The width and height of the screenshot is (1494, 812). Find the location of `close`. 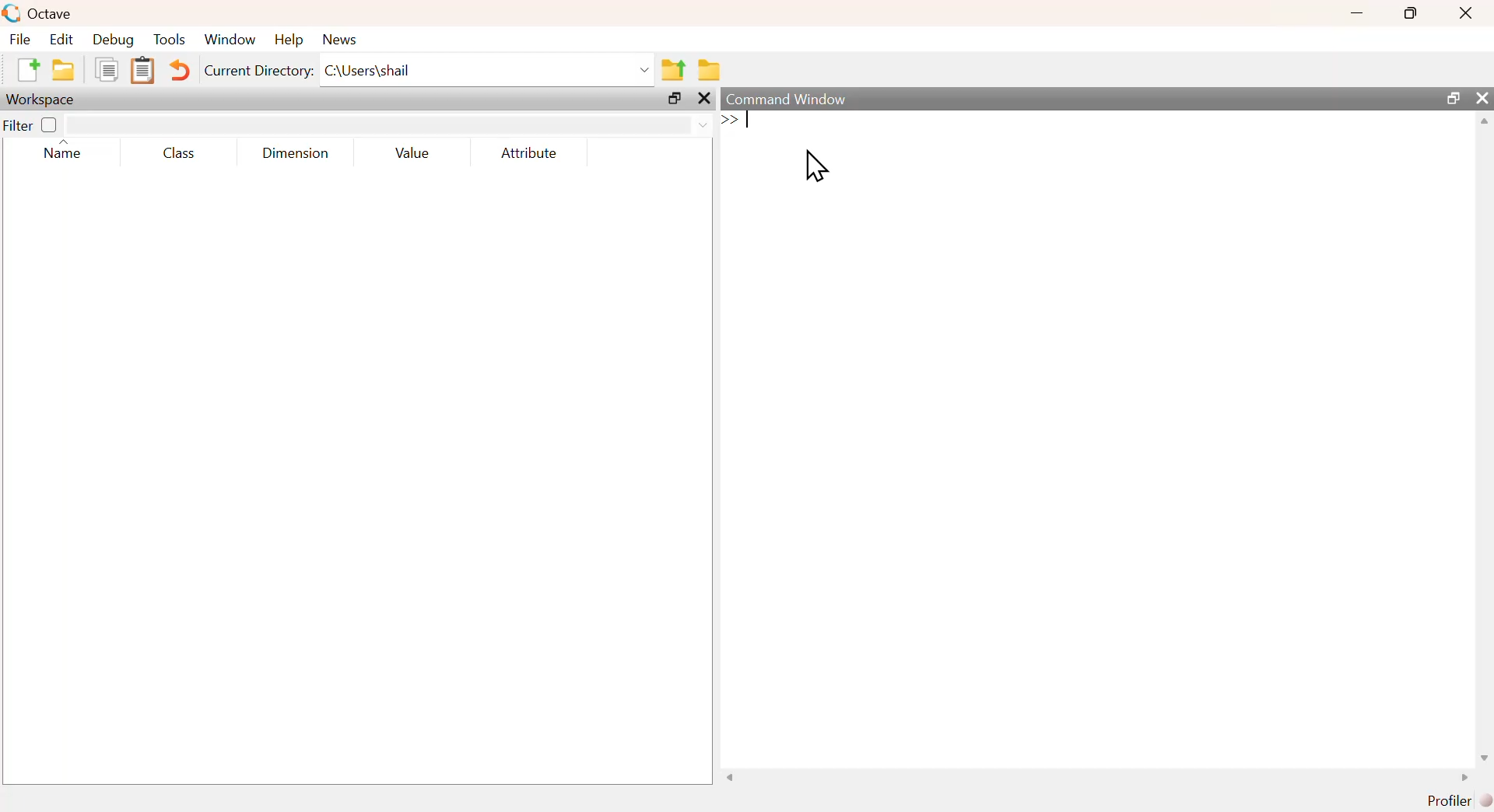

close is located at coordinates (704, 100).